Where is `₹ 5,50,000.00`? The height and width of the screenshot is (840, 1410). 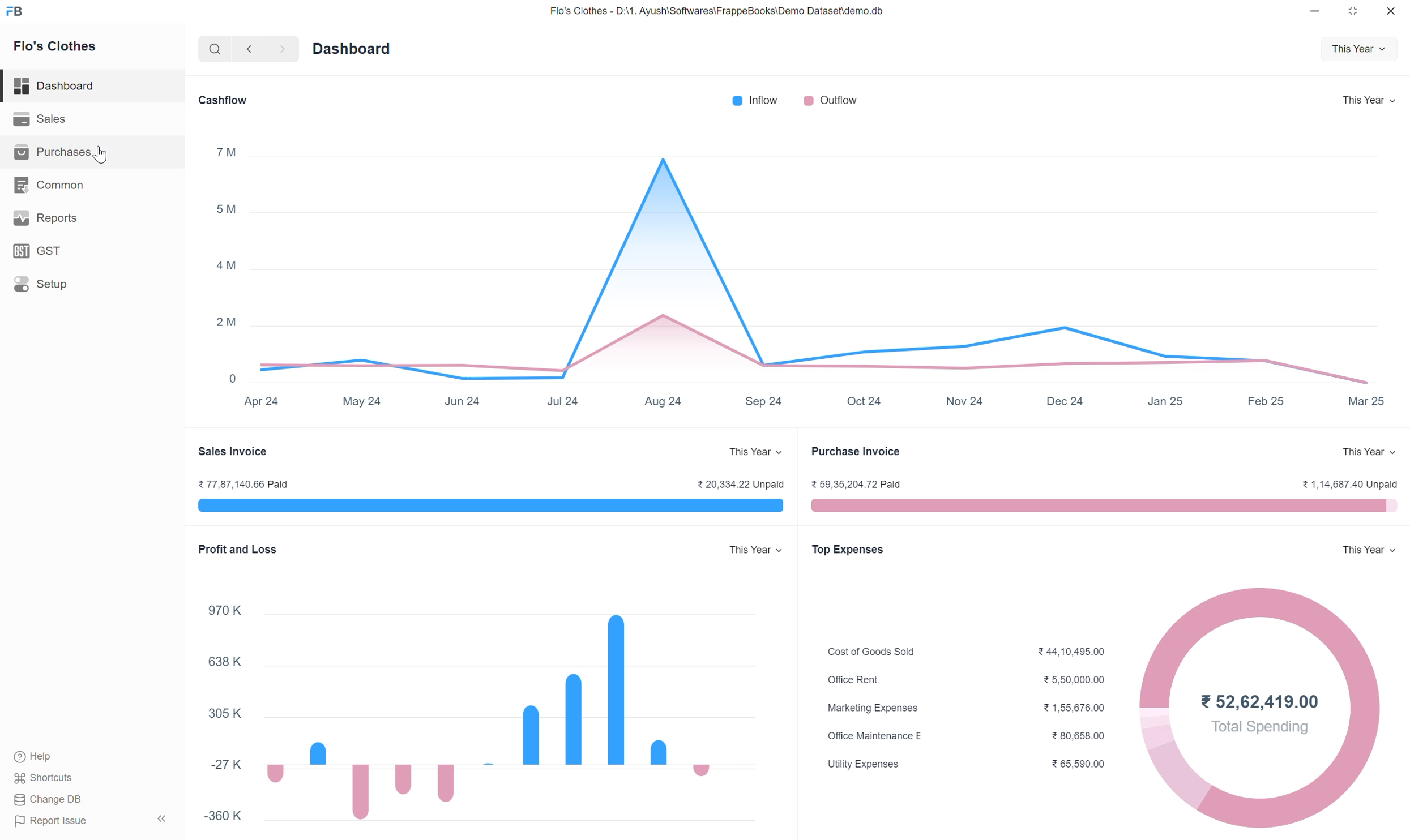
₹ 5,50,000.00 is located at coordinates (1071, 680).